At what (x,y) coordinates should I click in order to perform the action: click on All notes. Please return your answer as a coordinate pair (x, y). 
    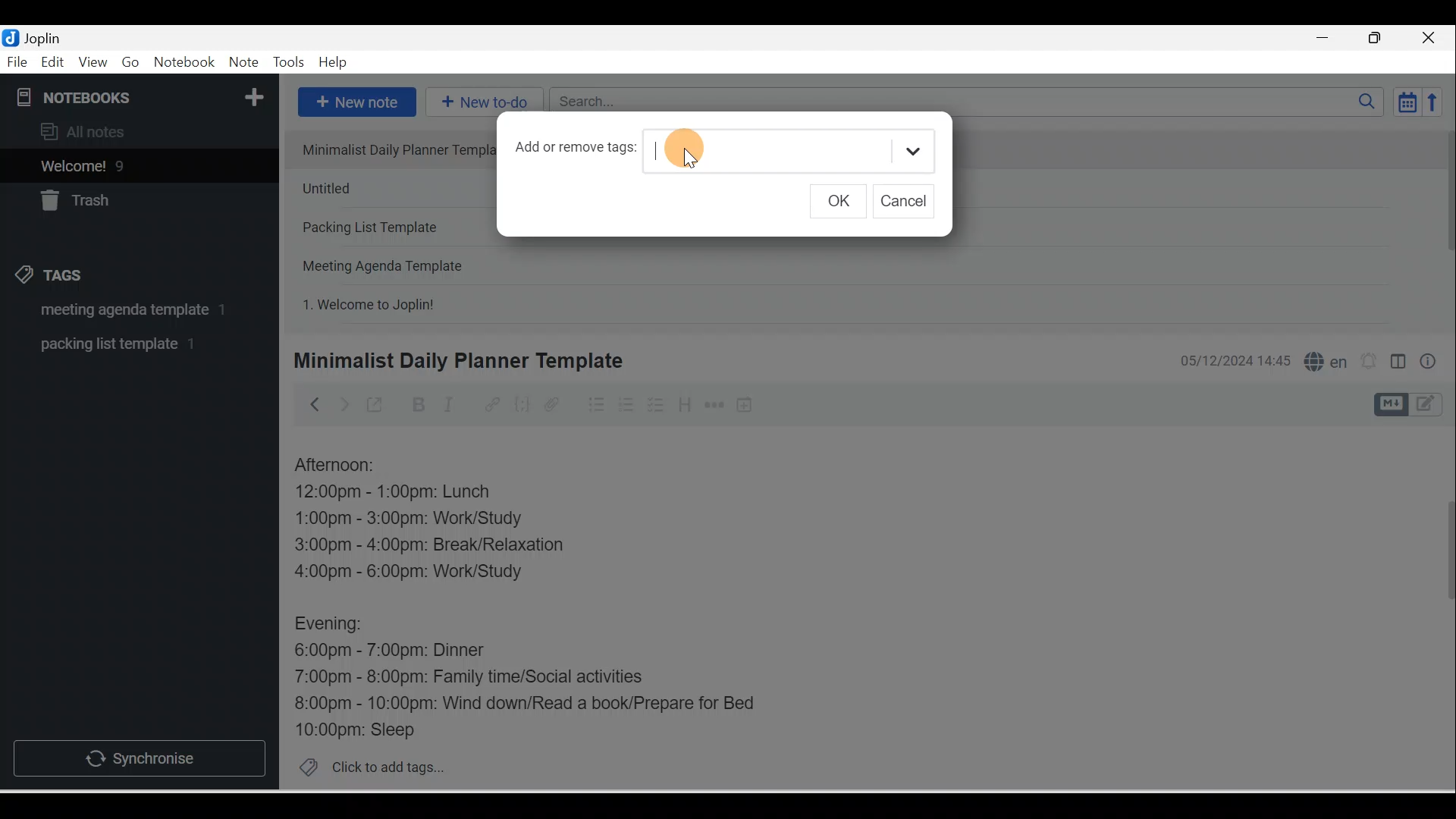
    Looking at the image, I should click on (137, 131).